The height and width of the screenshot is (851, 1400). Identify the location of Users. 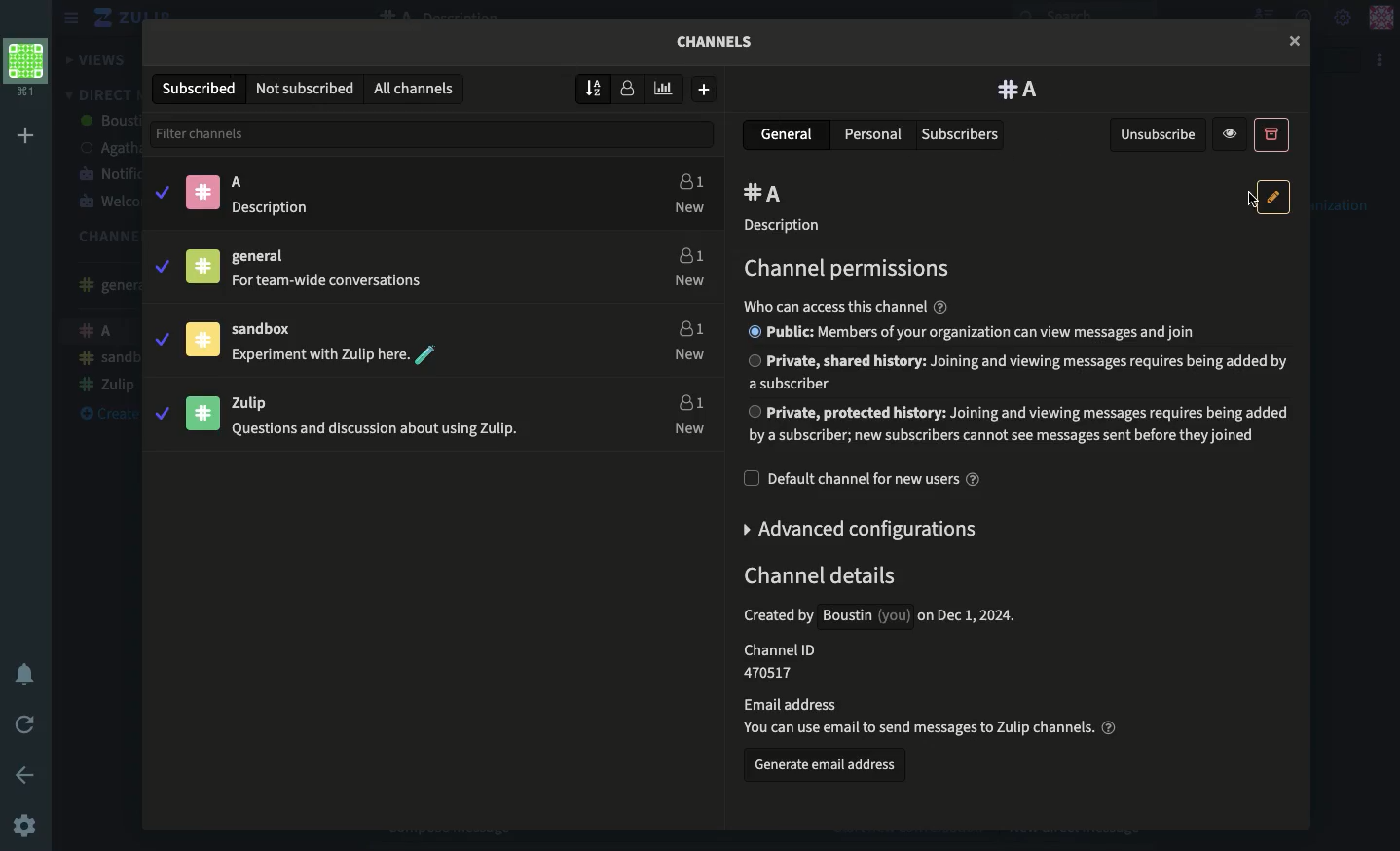
(688, 195).